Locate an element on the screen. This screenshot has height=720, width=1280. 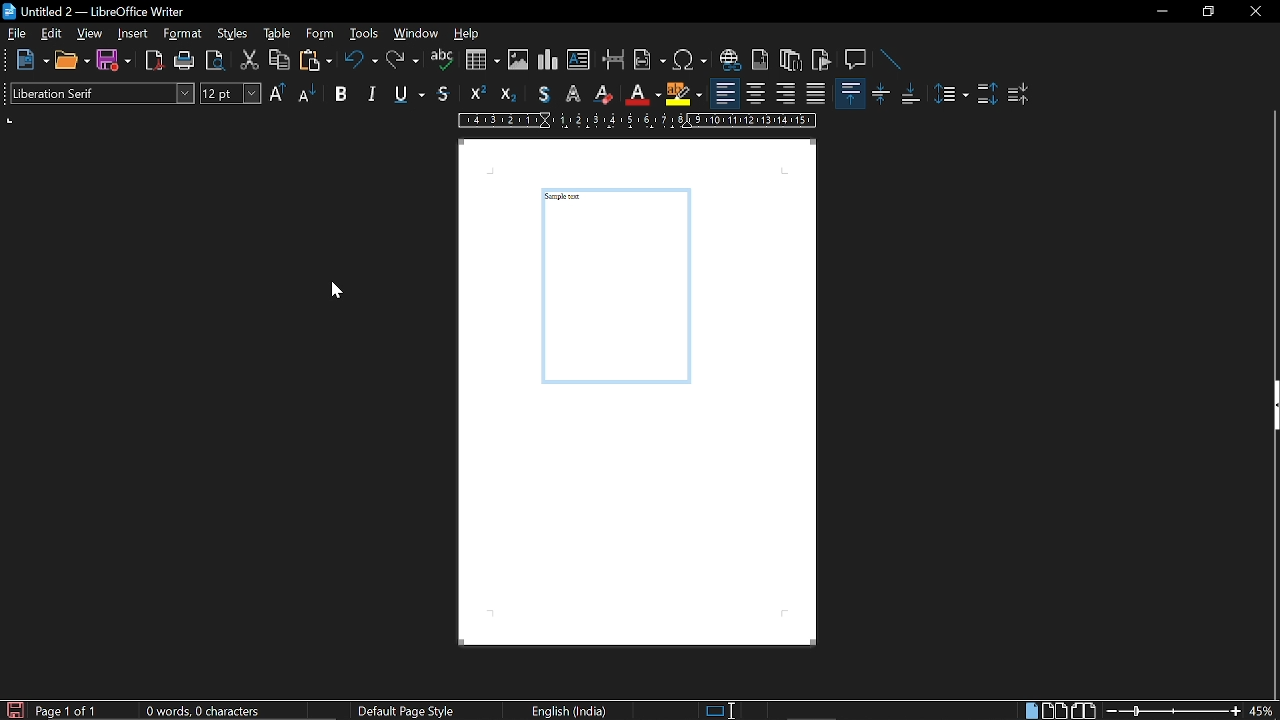
insert comment is located at coordinates (856, 59).